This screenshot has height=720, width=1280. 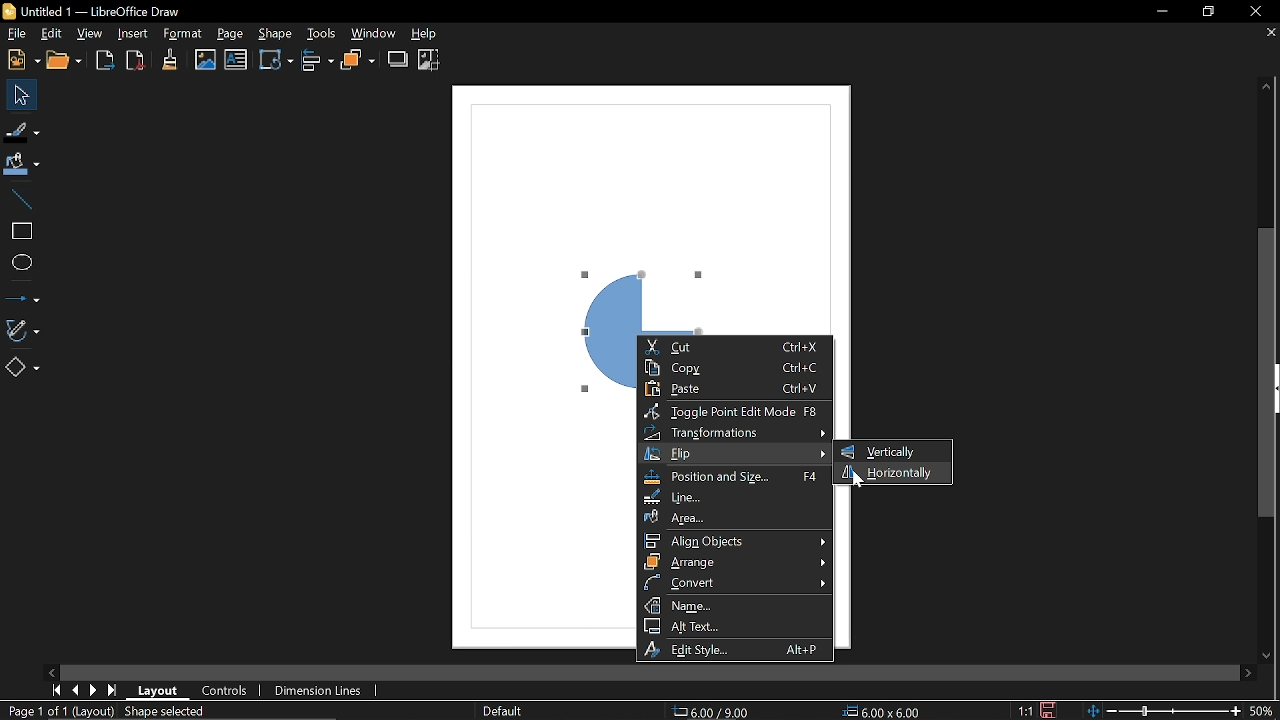 What do you see at coordinates (227, 690) in the screenshot?
I see `Controls` at bounding box center [227, 690].